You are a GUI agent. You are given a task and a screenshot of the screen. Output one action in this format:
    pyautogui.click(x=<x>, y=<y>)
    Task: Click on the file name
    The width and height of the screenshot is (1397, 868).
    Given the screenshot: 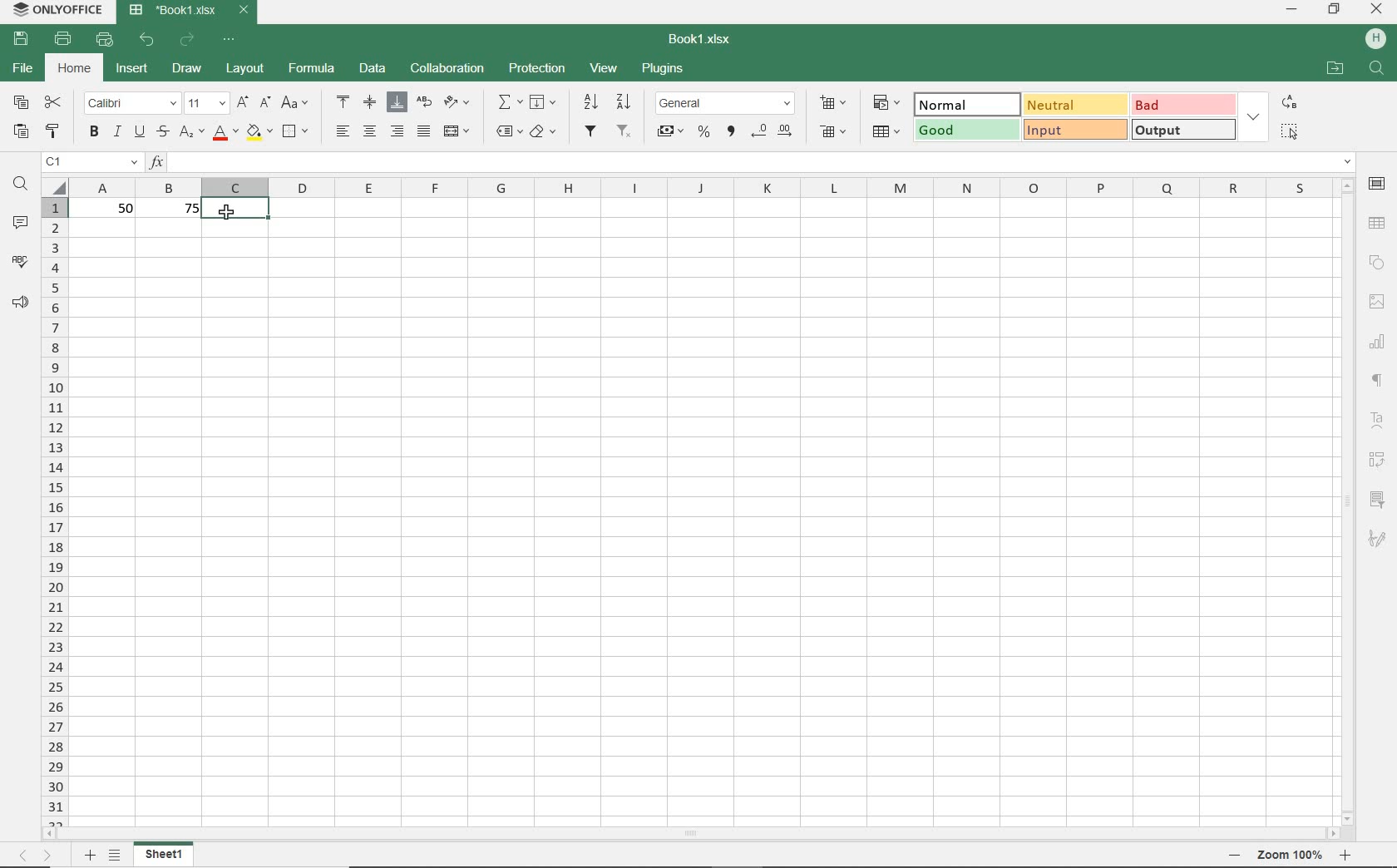 What is the action you would take?
    pyautogui.click(x=190, y=12)
    